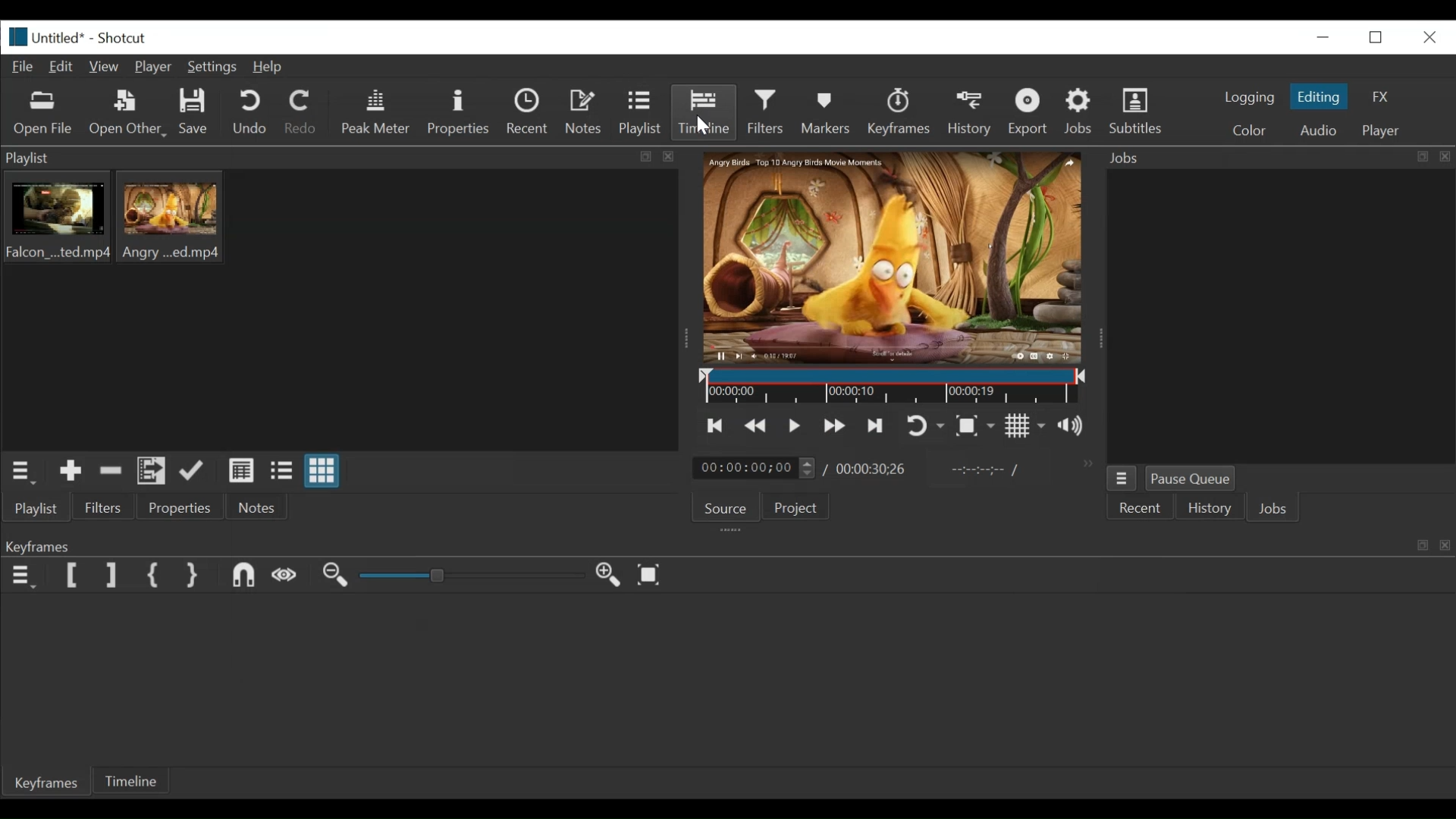 The image size is (1456, 819). Describe the element at coordinates (242, 470) in the screenshot. I see `view as details` at that location.